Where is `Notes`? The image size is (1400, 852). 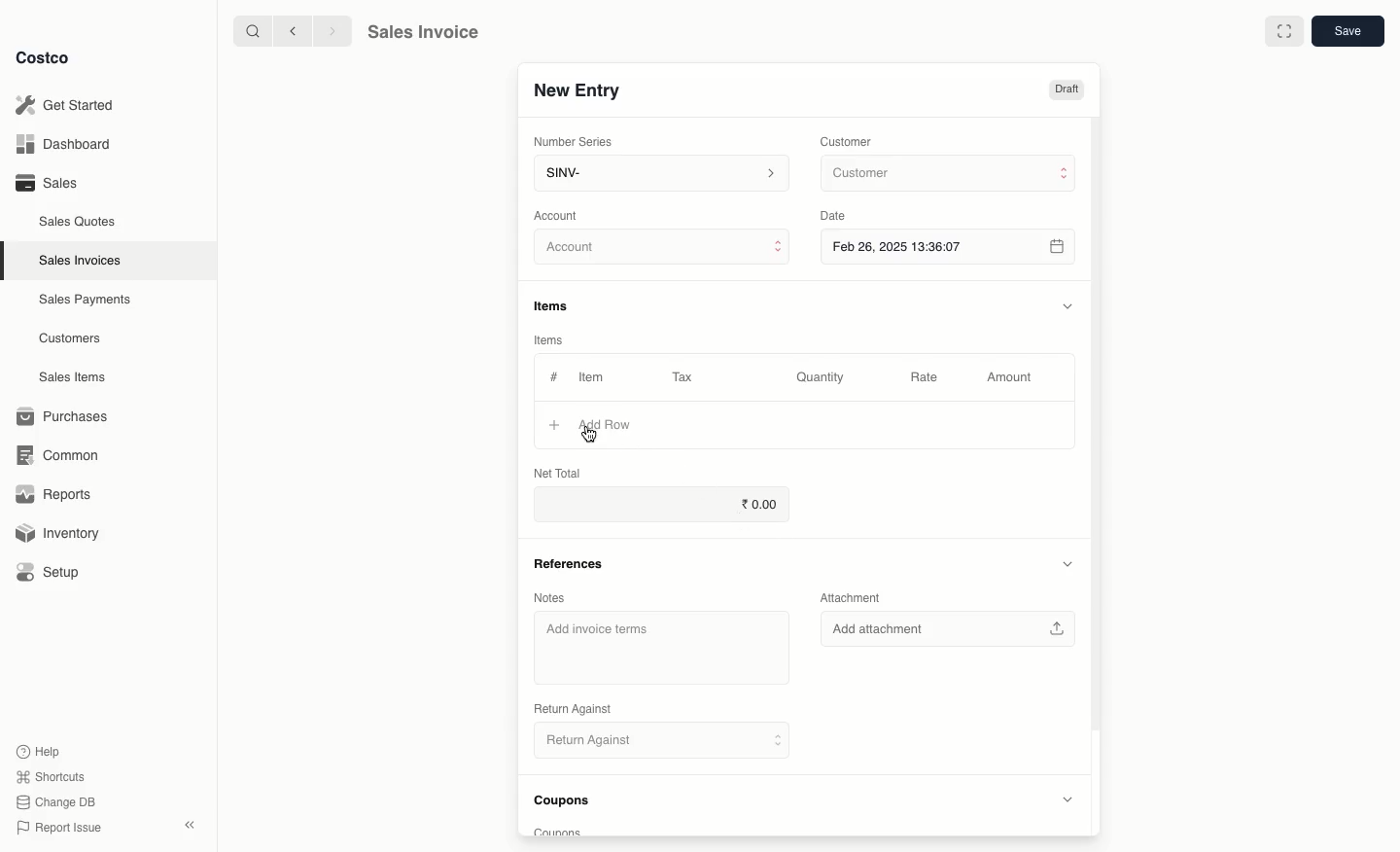
Notes is located at coordinates (548, 598).